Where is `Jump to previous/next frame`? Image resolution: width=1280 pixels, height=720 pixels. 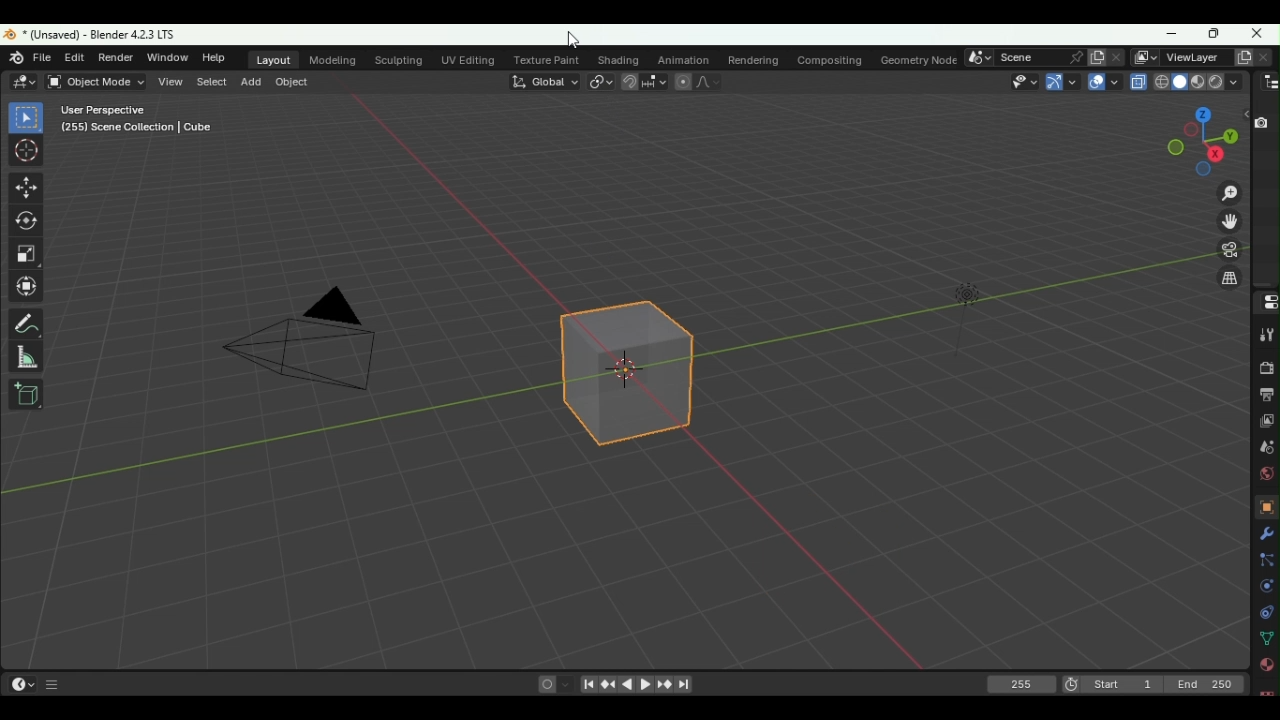 Jump to previous/next frame is located at coordinates (663, 684).